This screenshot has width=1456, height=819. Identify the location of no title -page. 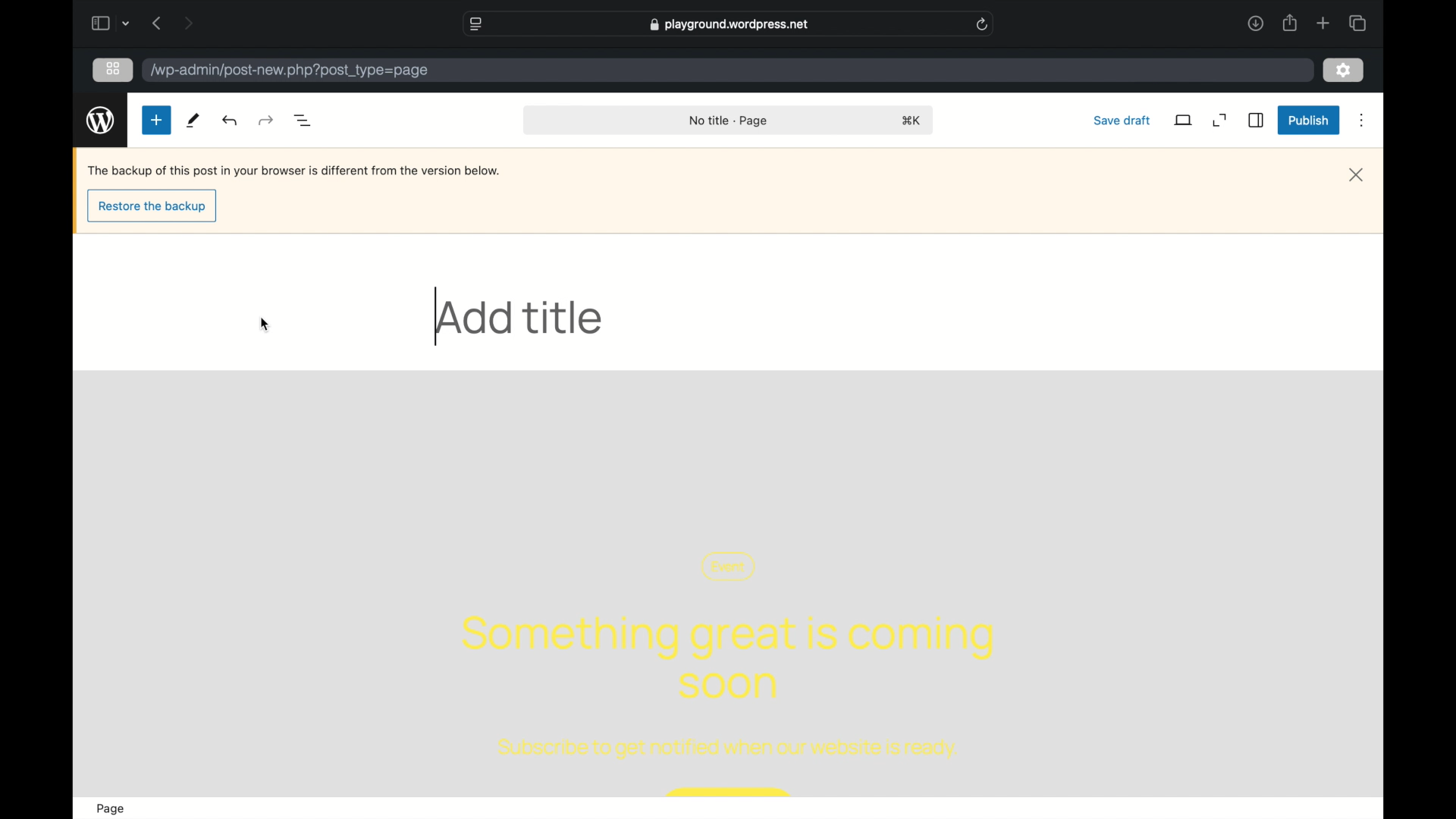
(730, 122).